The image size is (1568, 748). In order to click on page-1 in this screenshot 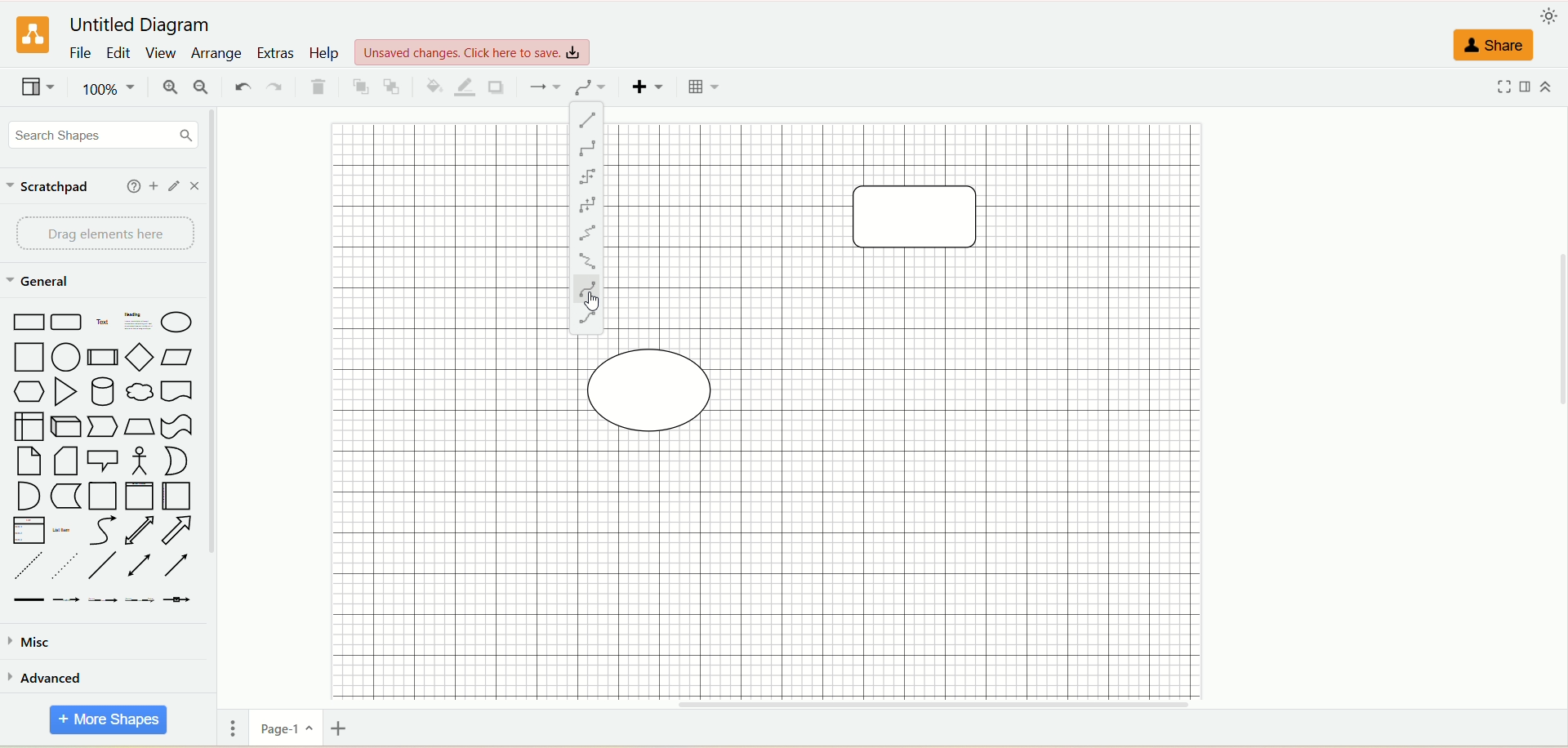, I will do `click(283, 728)`.